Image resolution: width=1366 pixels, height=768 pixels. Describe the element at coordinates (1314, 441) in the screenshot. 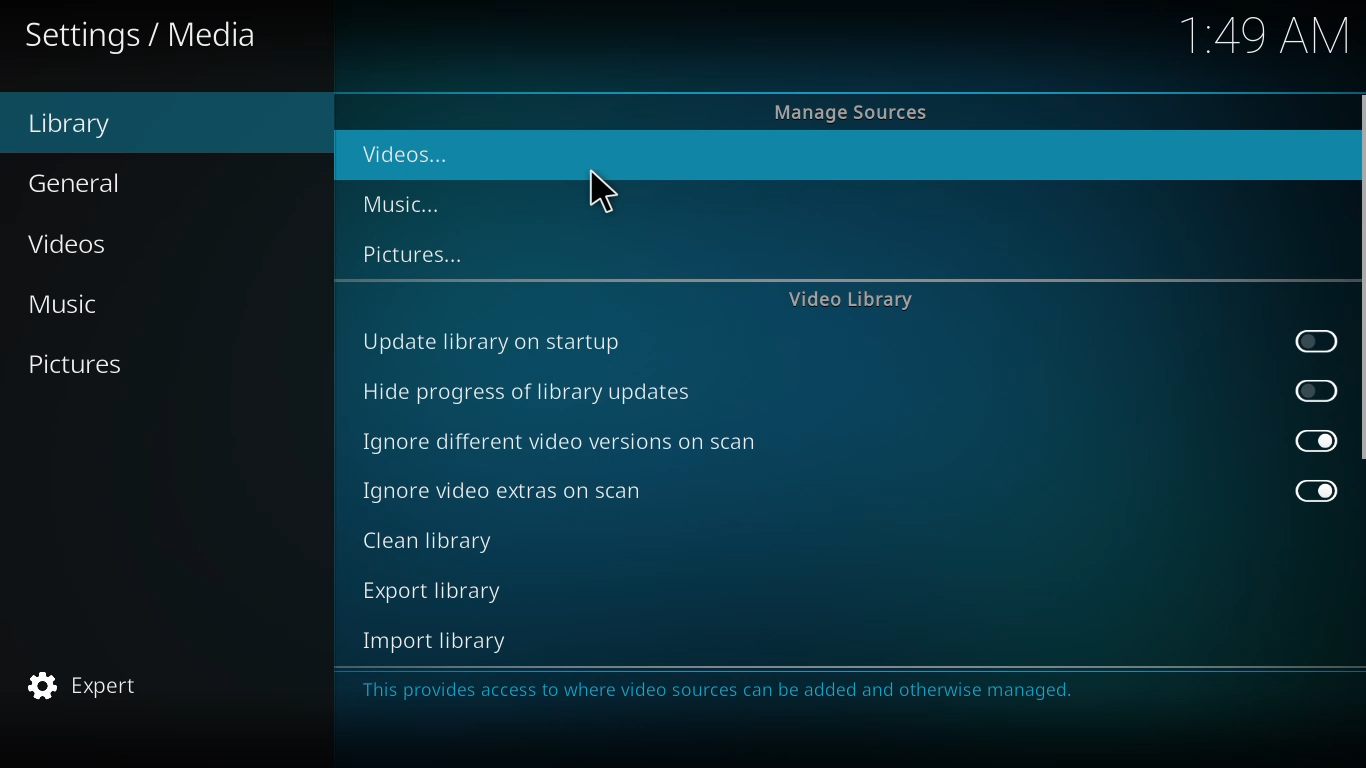

I see `enabled` at that location.